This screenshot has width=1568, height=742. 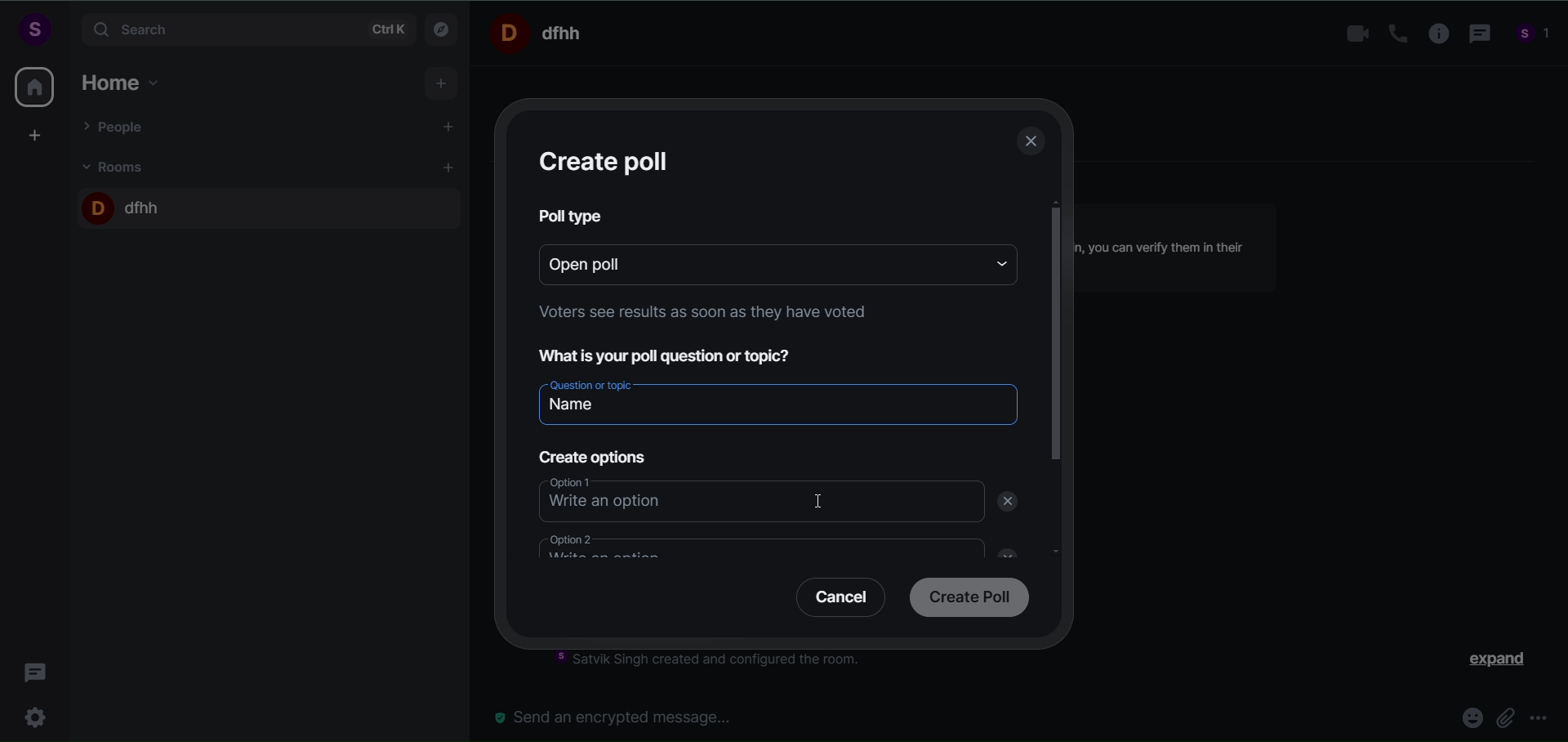 I want to click on send an encrypted message, so click(x=621, y=717).